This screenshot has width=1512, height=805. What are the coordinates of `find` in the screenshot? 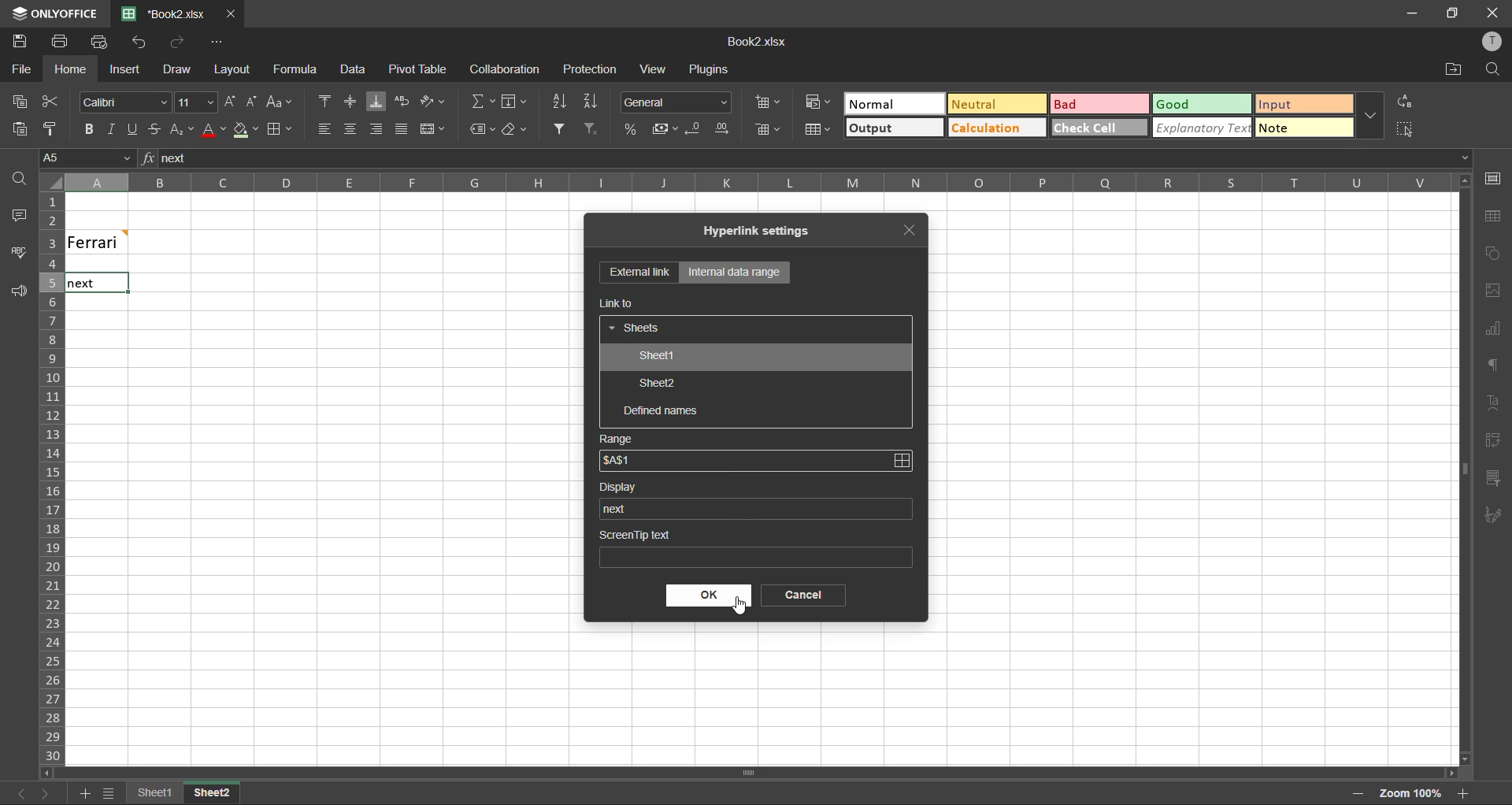 It's located at (1493, 69).